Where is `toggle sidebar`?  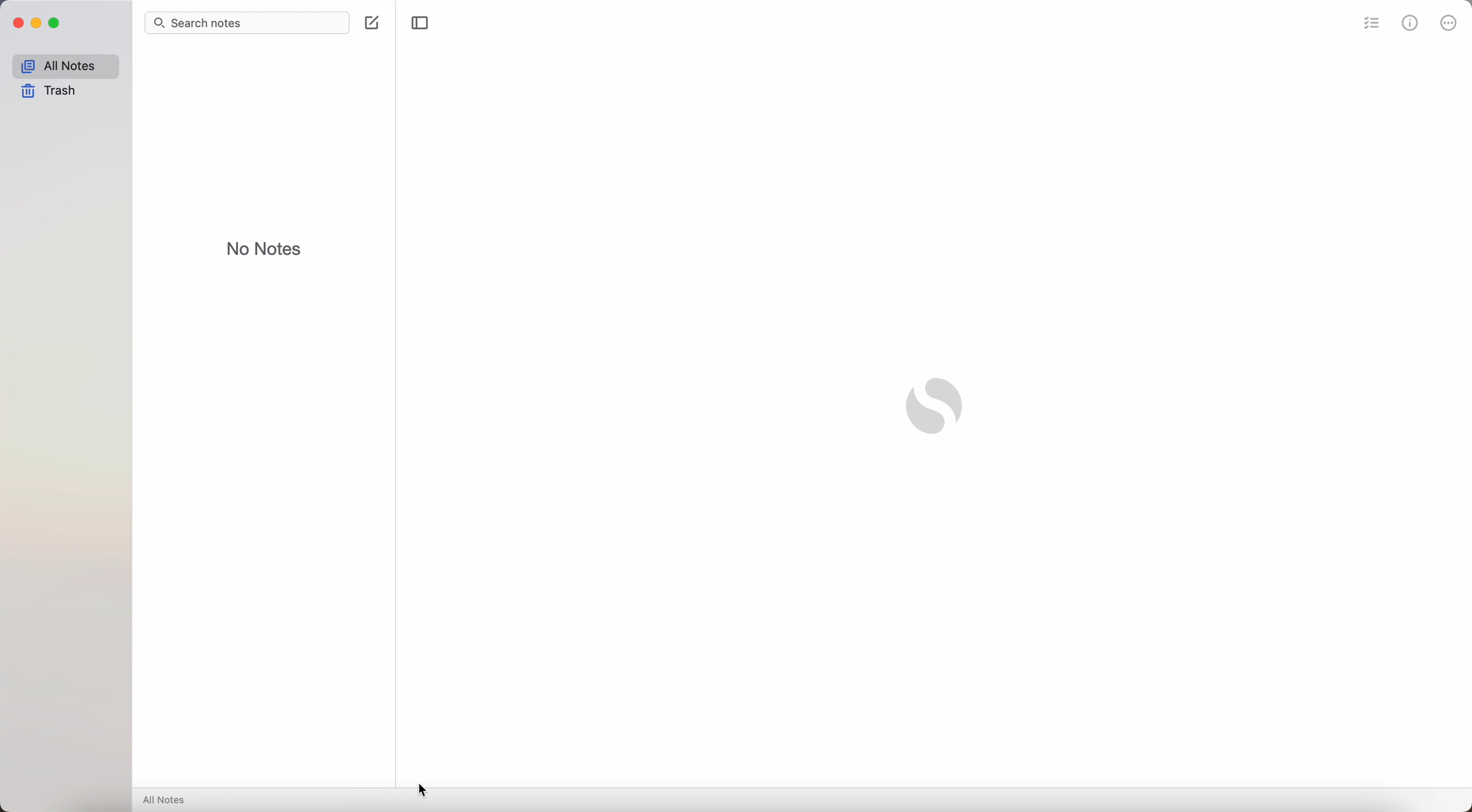 toggle sidebar is located at coordinates (418, 23).